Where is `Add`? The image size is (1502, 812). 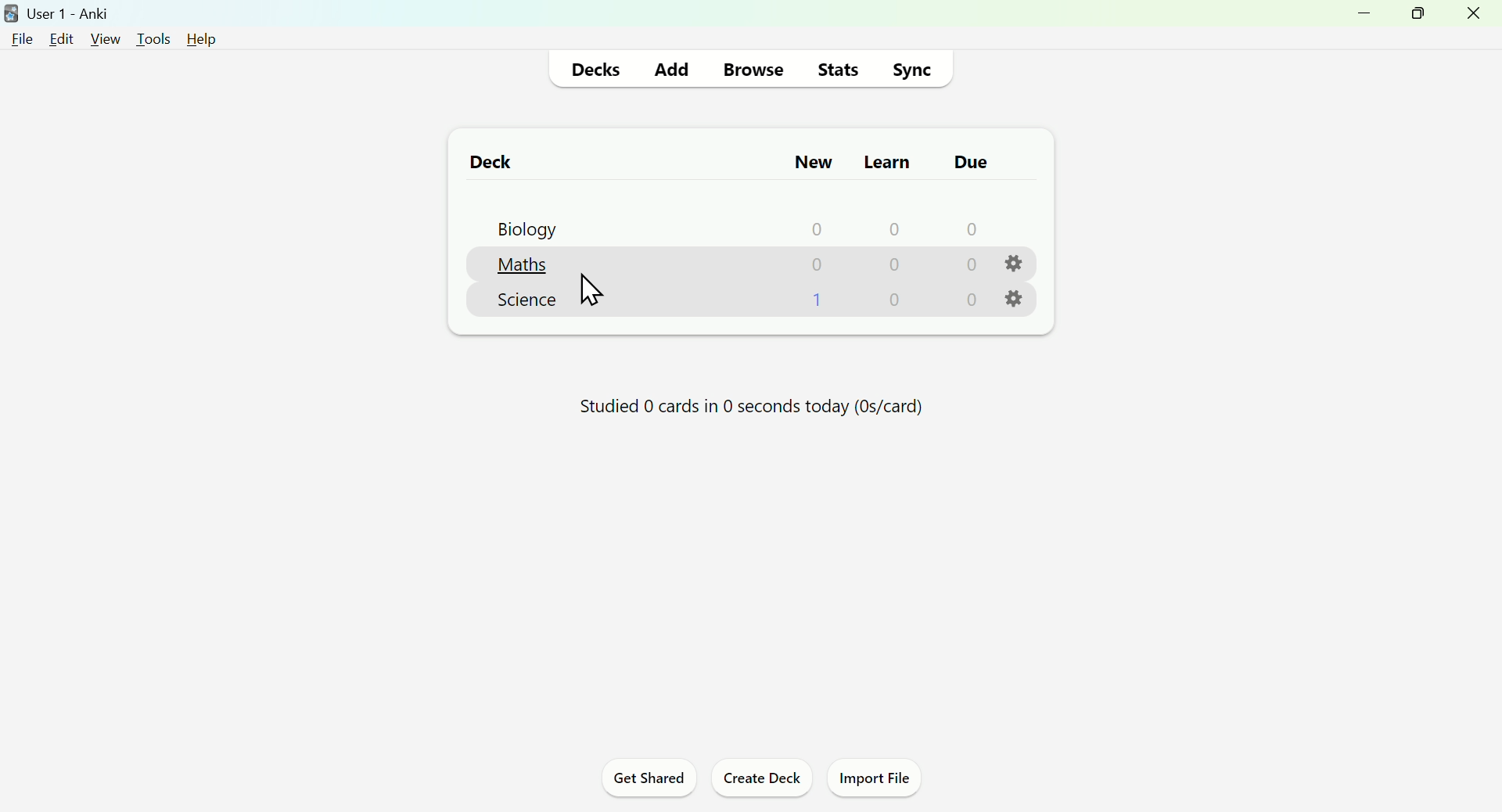 Add is located at coordinates (672, 66).